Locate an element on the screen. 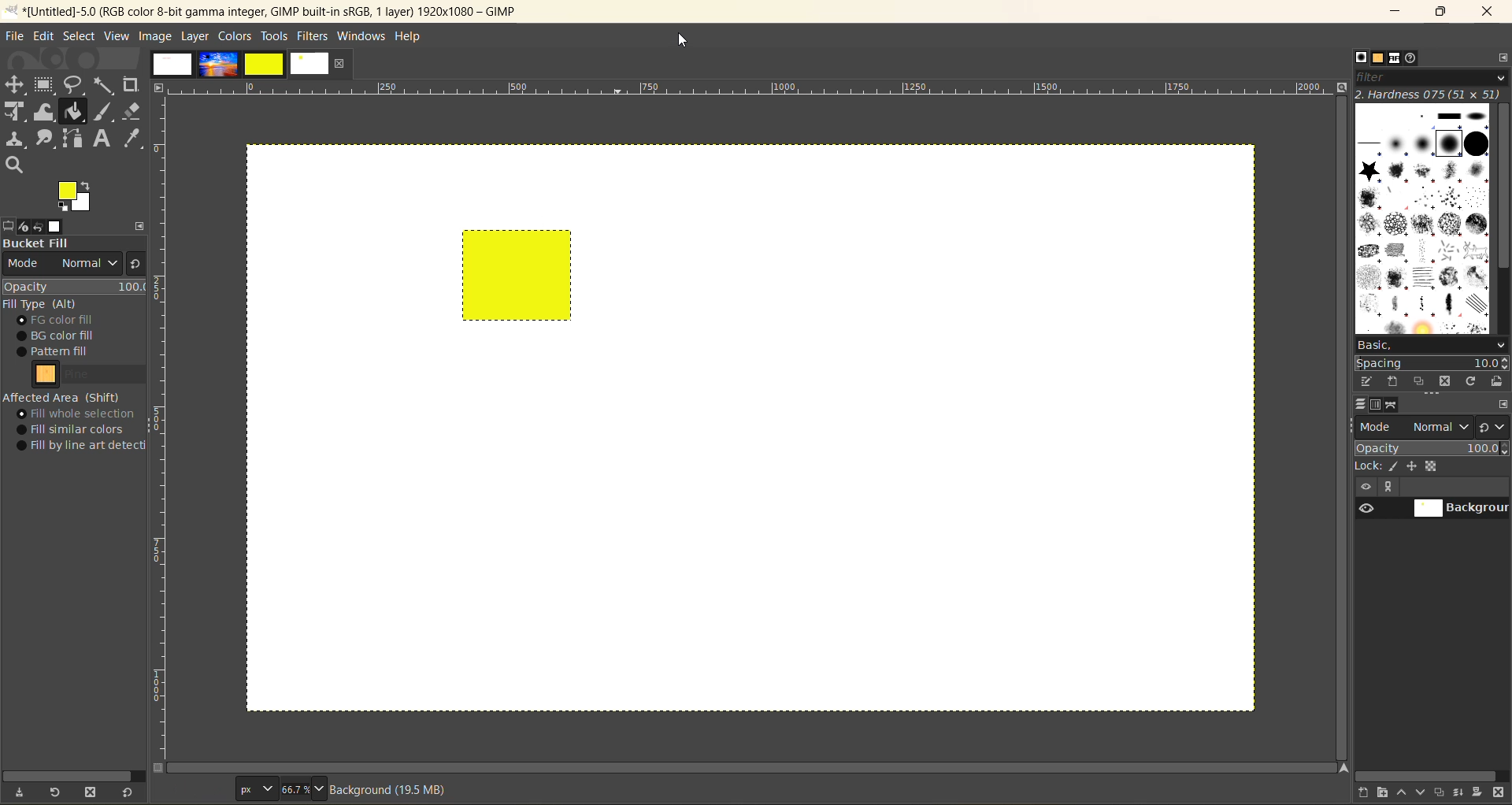 This screenshot has width=1512, height=805. file is located at coordinates (16, 36).